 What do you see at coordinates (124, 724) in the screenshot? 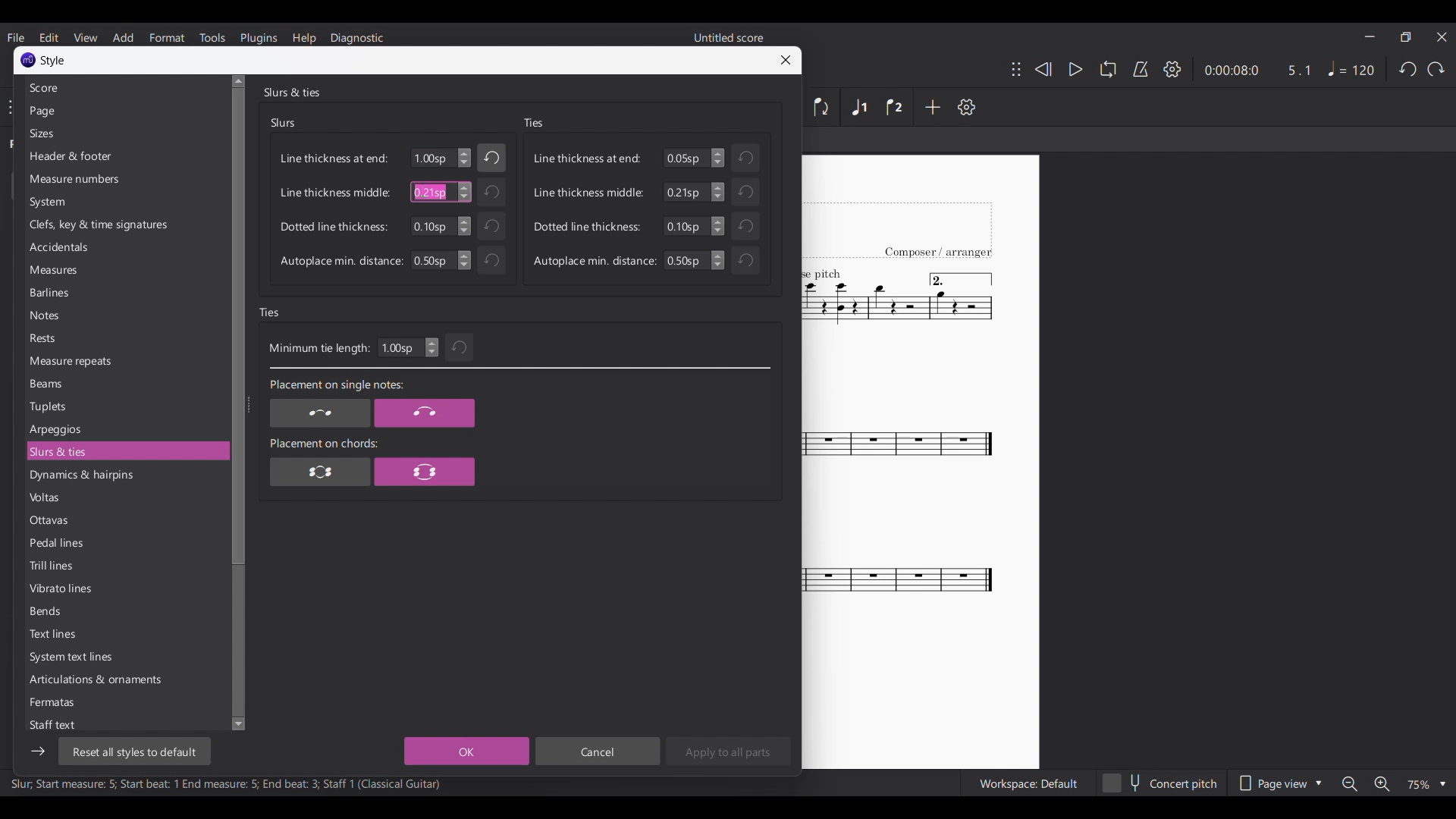
I see `Staff text` at bounding box center [124, 724].